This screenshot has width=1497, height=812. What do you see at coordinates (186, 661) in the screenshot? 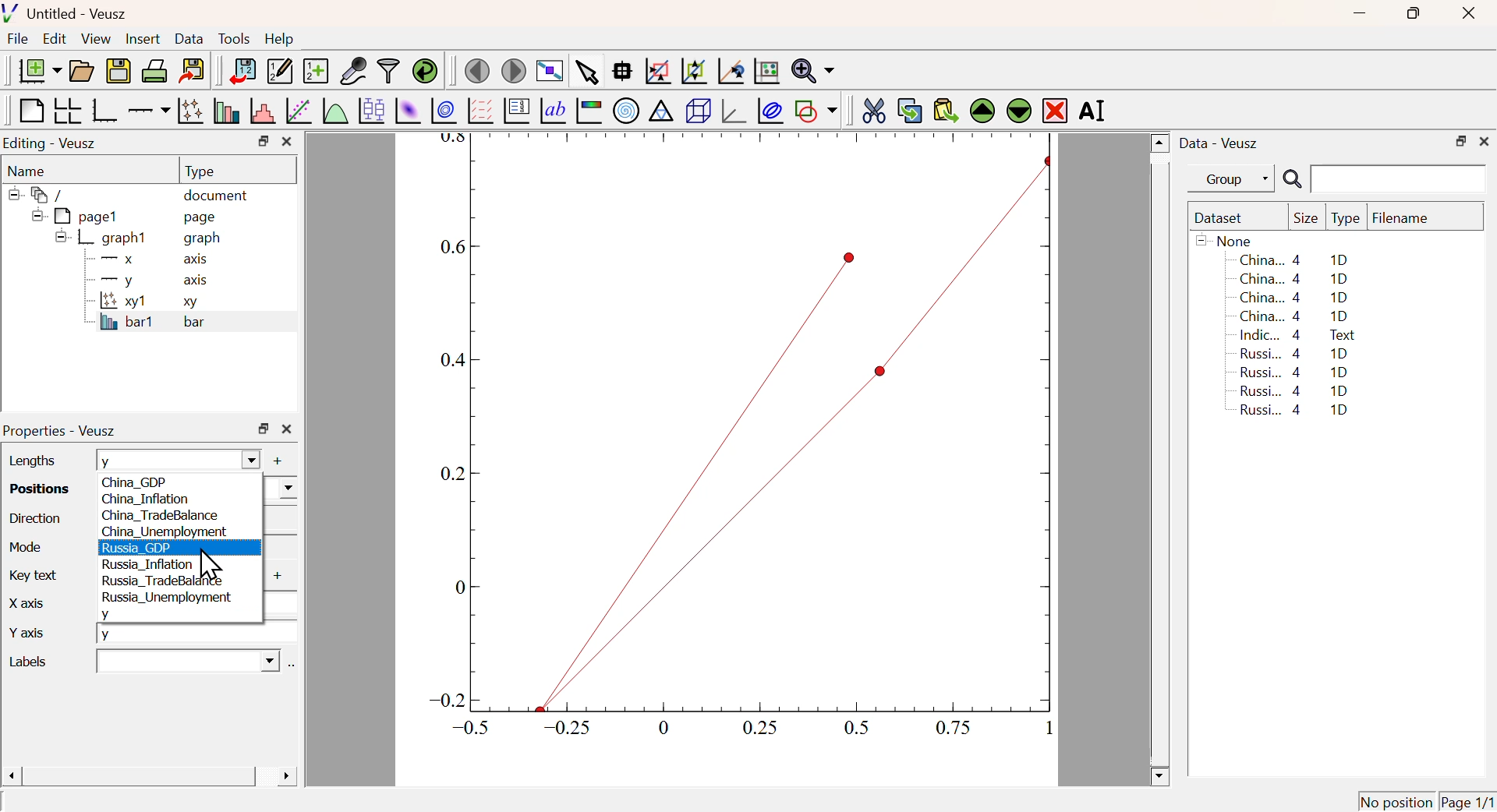
I see `Dropdown` at bounding box center [186, 661].